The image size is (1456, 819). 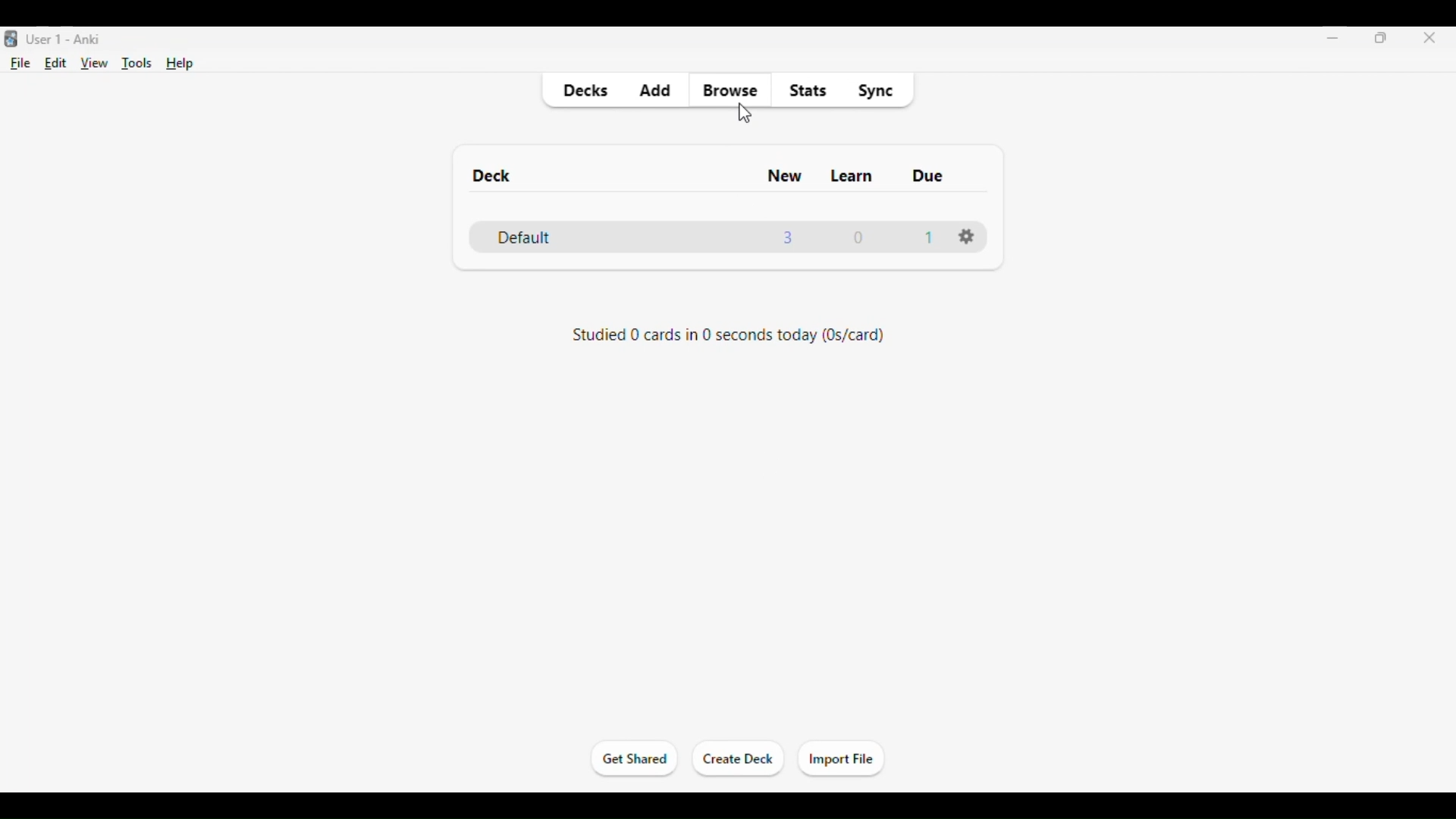 I want to click on new, so click(x=784, y=176).